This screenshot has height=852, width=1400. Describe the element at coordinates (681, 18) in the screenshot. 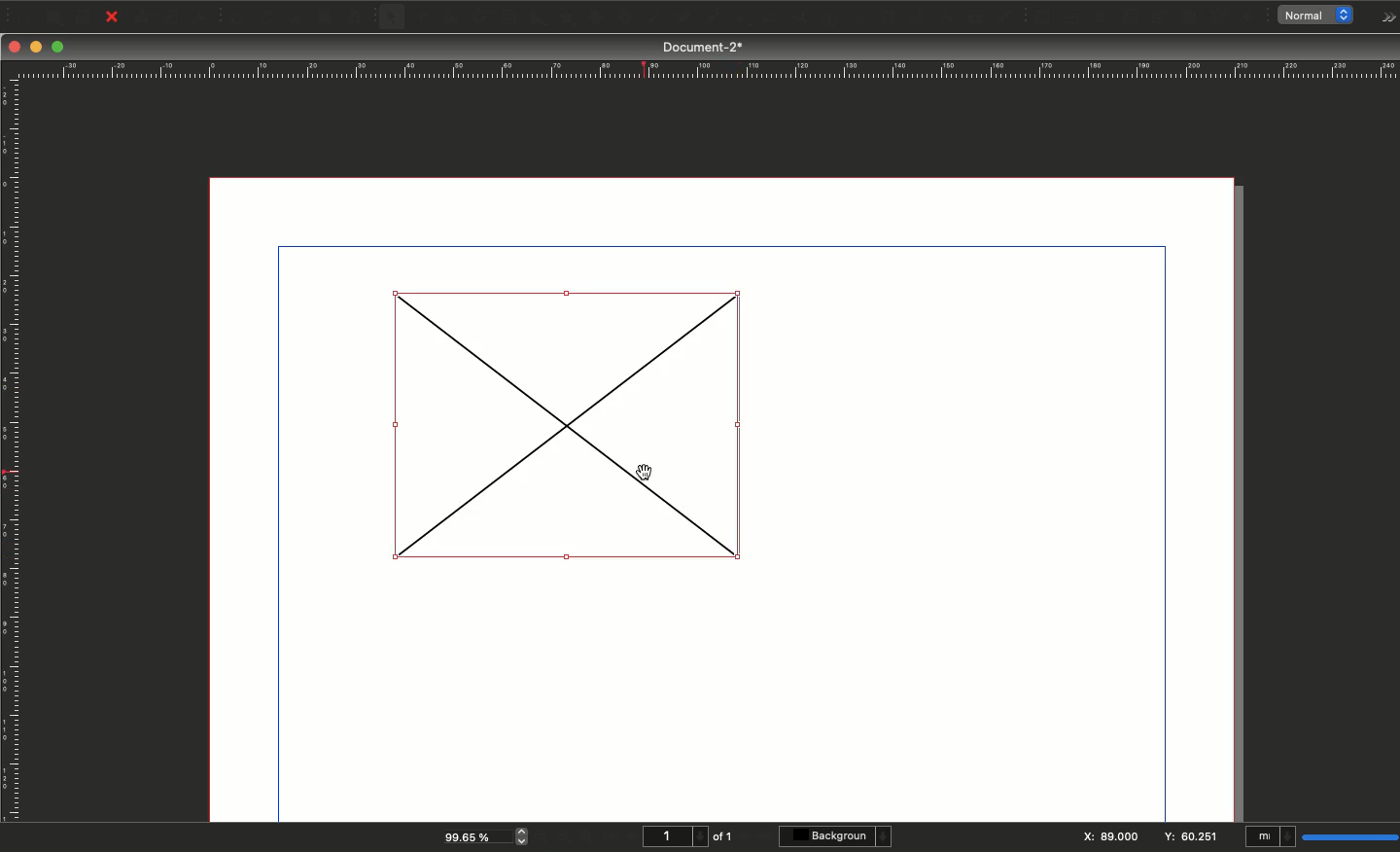

I see `Bézier curve` at that location.